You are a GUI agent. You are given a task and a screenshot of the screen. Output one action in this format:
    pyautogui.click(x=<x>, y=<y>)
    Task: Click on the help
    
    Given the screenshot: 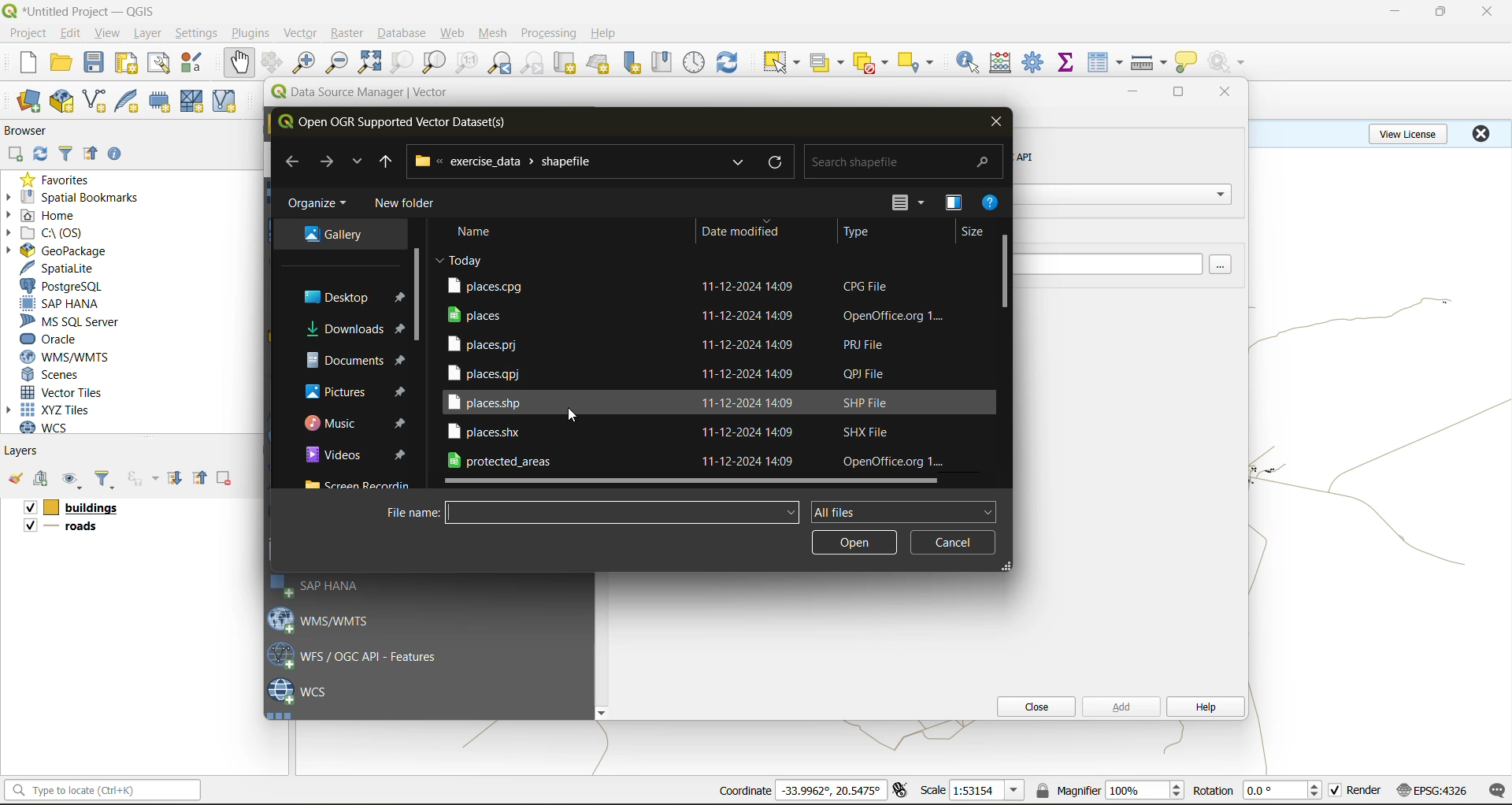 What is the action you would take?
    pyautogui.click(x=1204, y=708)
    